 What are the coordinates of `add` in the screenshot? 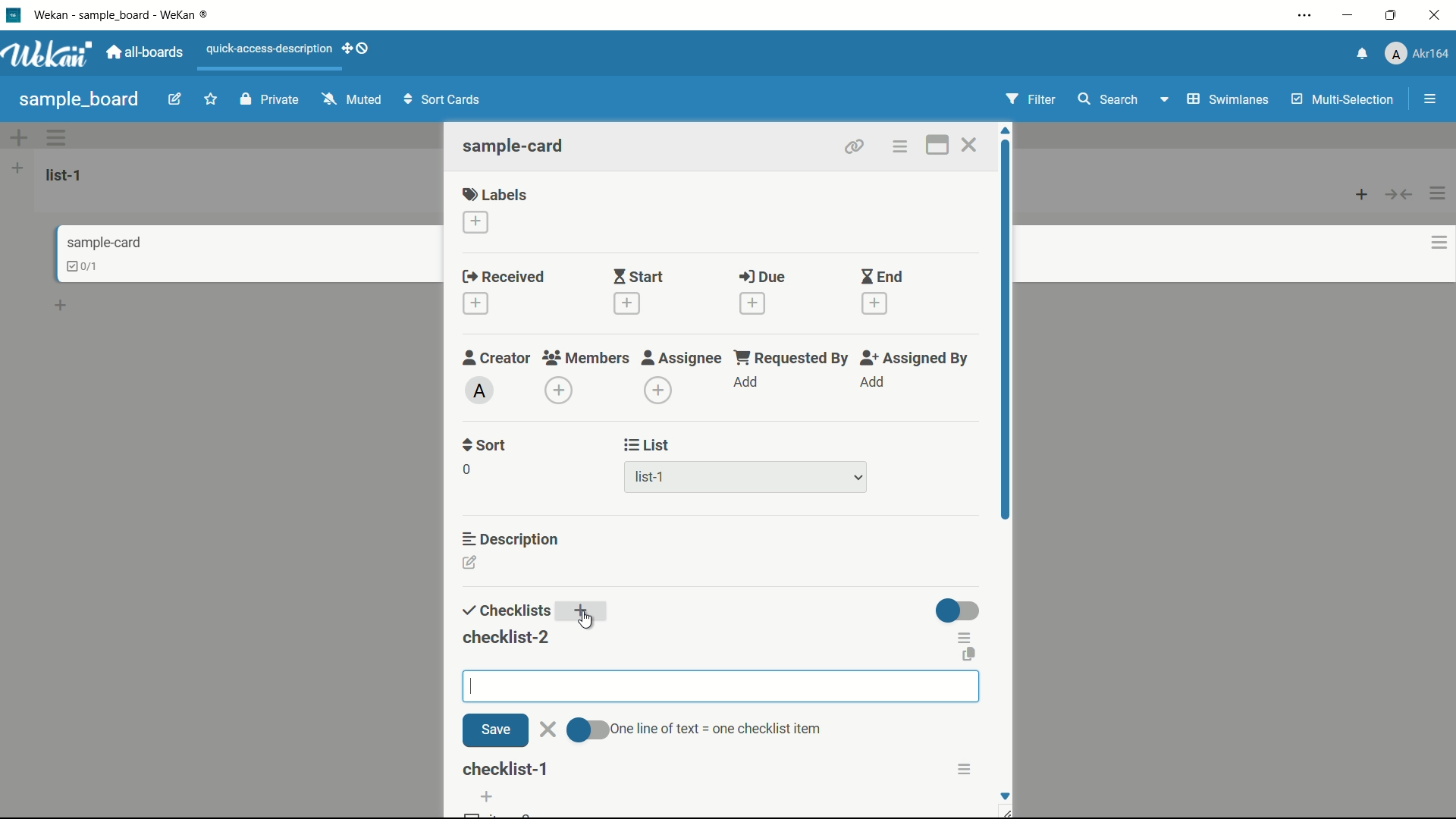 It's located at (486, 797).